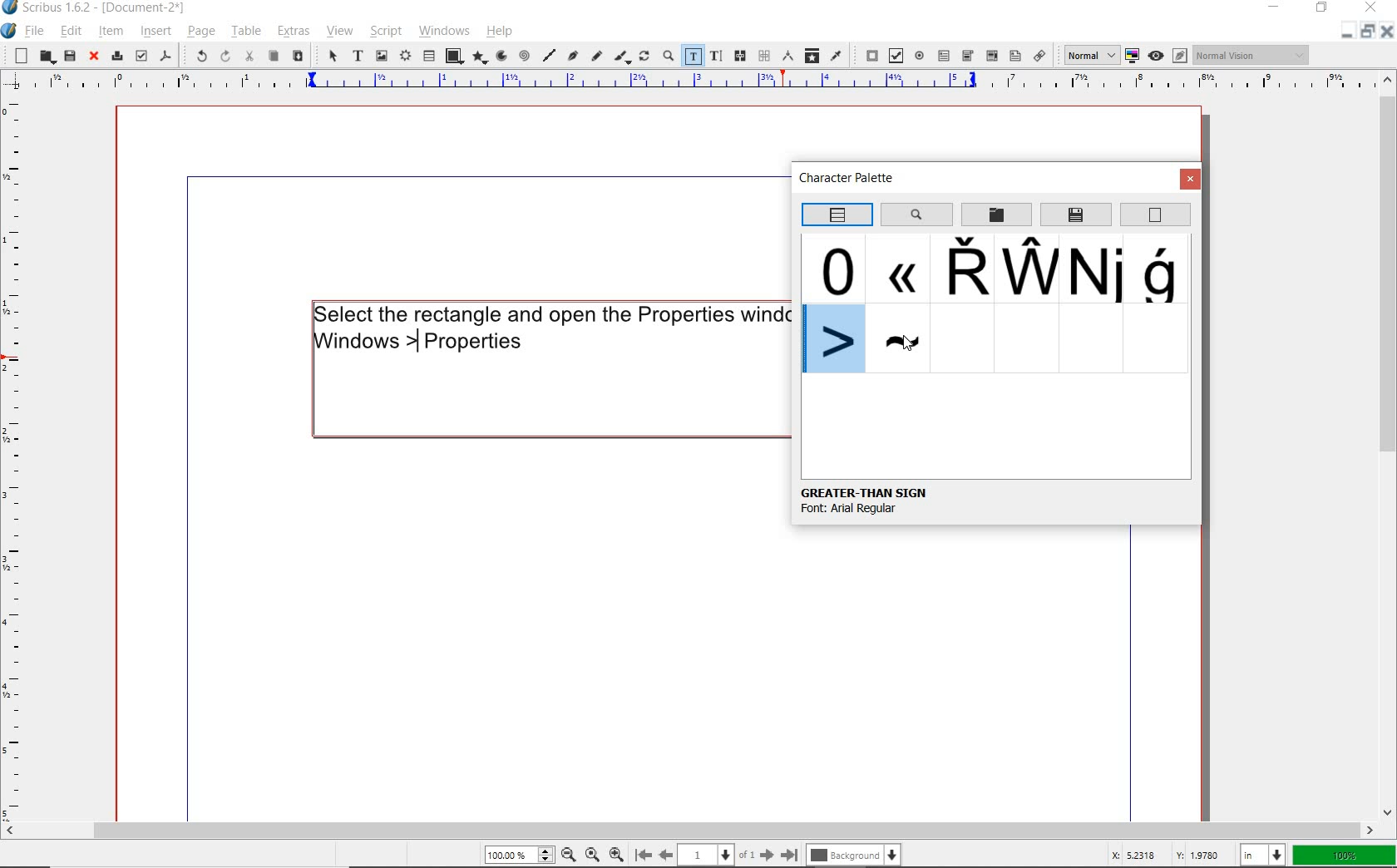  Describe the element at coordinates (480, 57) in the screenshot. I see `polygon` at that location.